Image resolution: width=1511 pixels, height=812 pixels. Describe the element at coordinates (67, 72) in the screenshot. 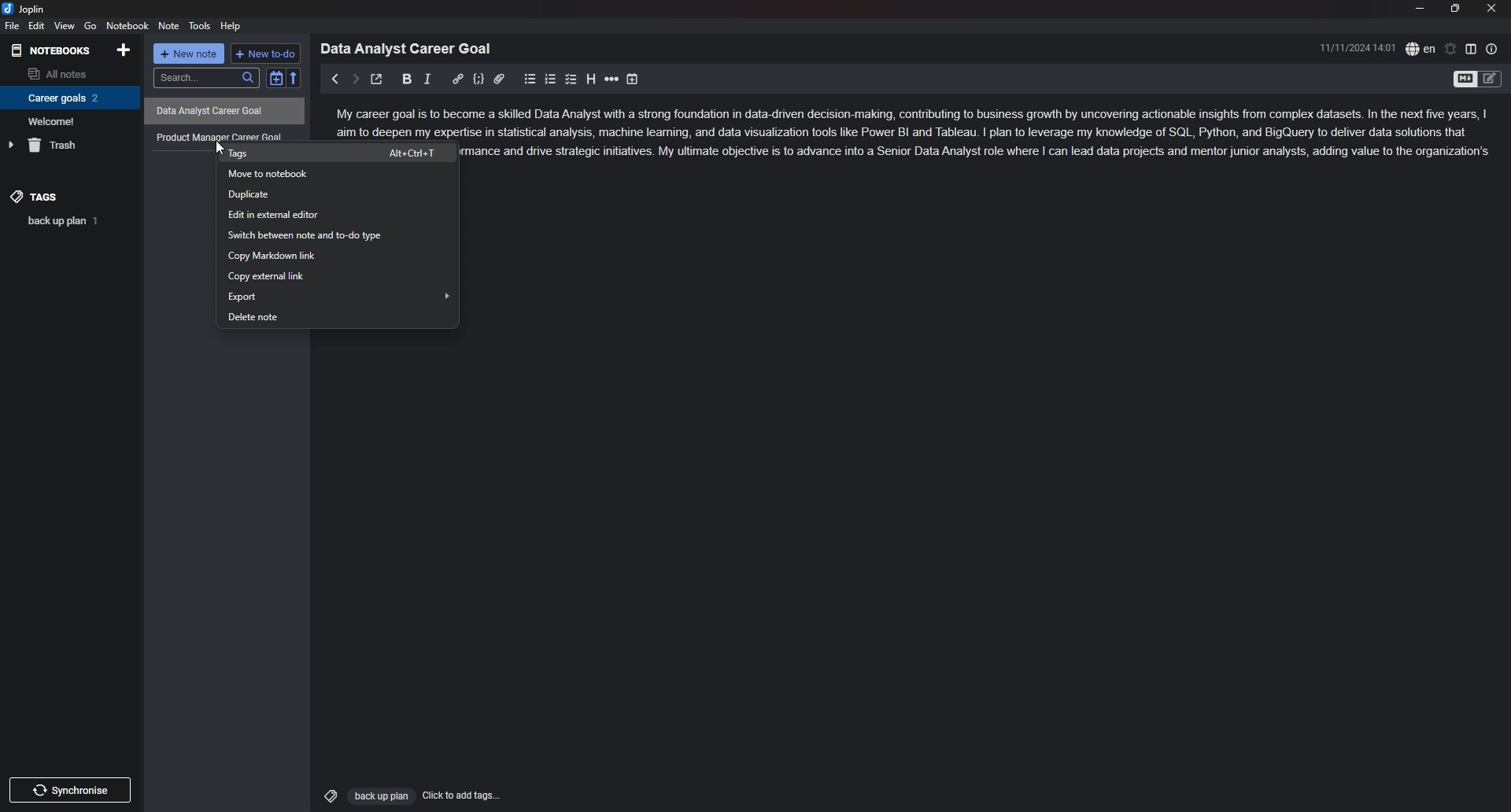

I see `all notes` at that location.